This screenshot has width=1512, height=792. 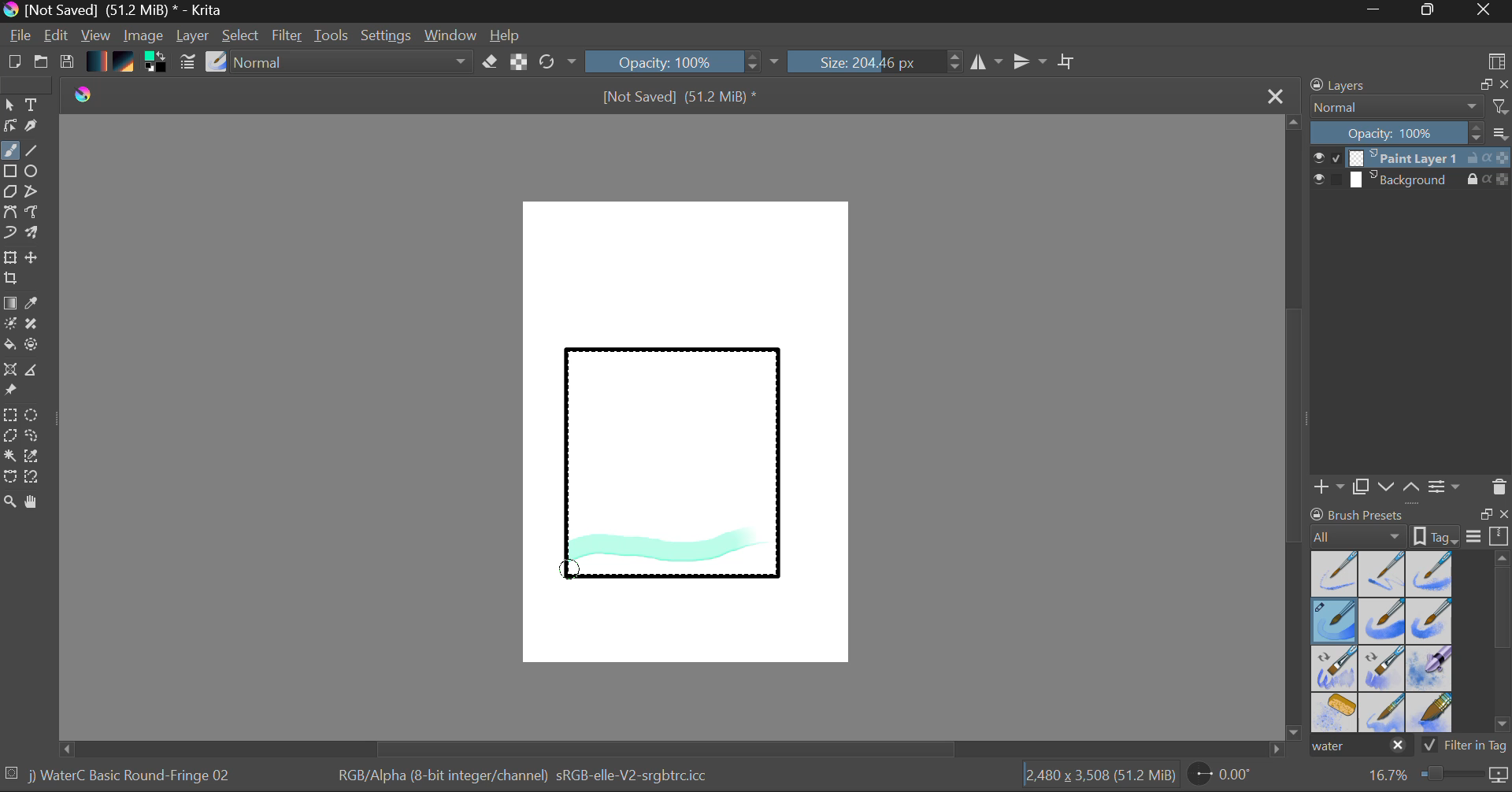 What do you see at coordinates (1277, 95) in the screenshot?
I see `Close` at bounding box center [1277, 95].